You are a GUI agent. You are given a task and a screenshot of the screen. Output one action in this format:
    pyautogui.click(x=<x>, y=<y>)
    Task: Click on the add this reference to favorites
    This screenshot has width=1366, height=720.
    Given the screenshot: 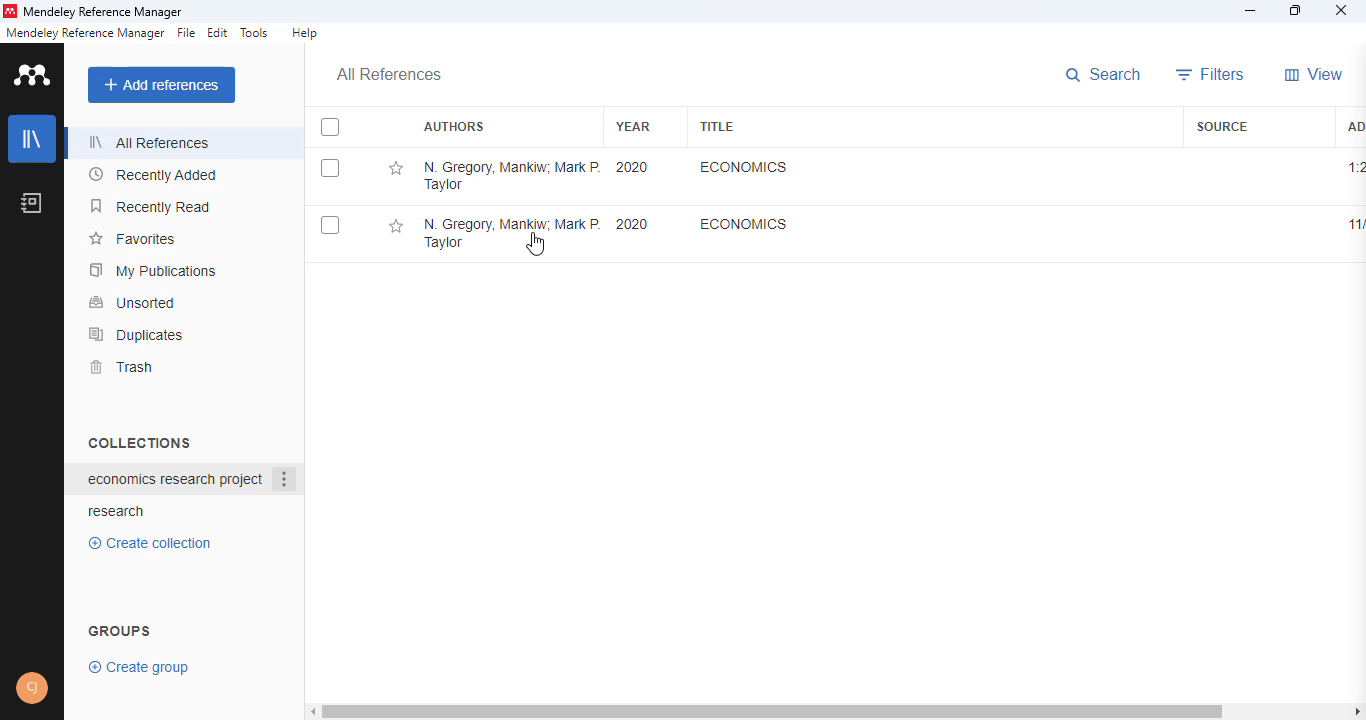 What is the action you would take?
    pyautogui.click(x=395, y=169)
    